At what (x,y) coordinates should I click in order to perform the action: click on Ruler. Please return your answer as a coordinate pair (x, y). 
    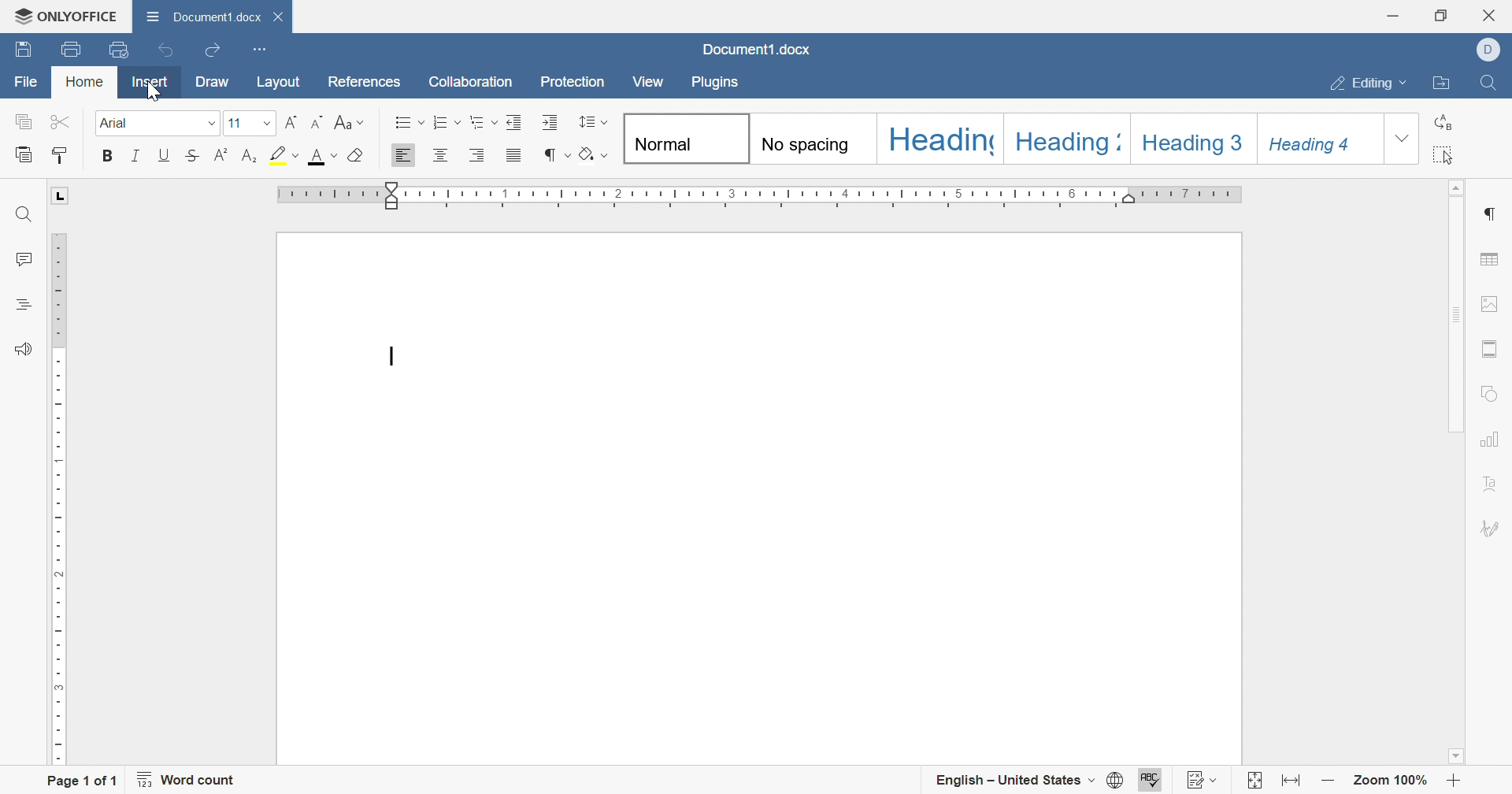
    Looking at the image, I should click on (57, 477).